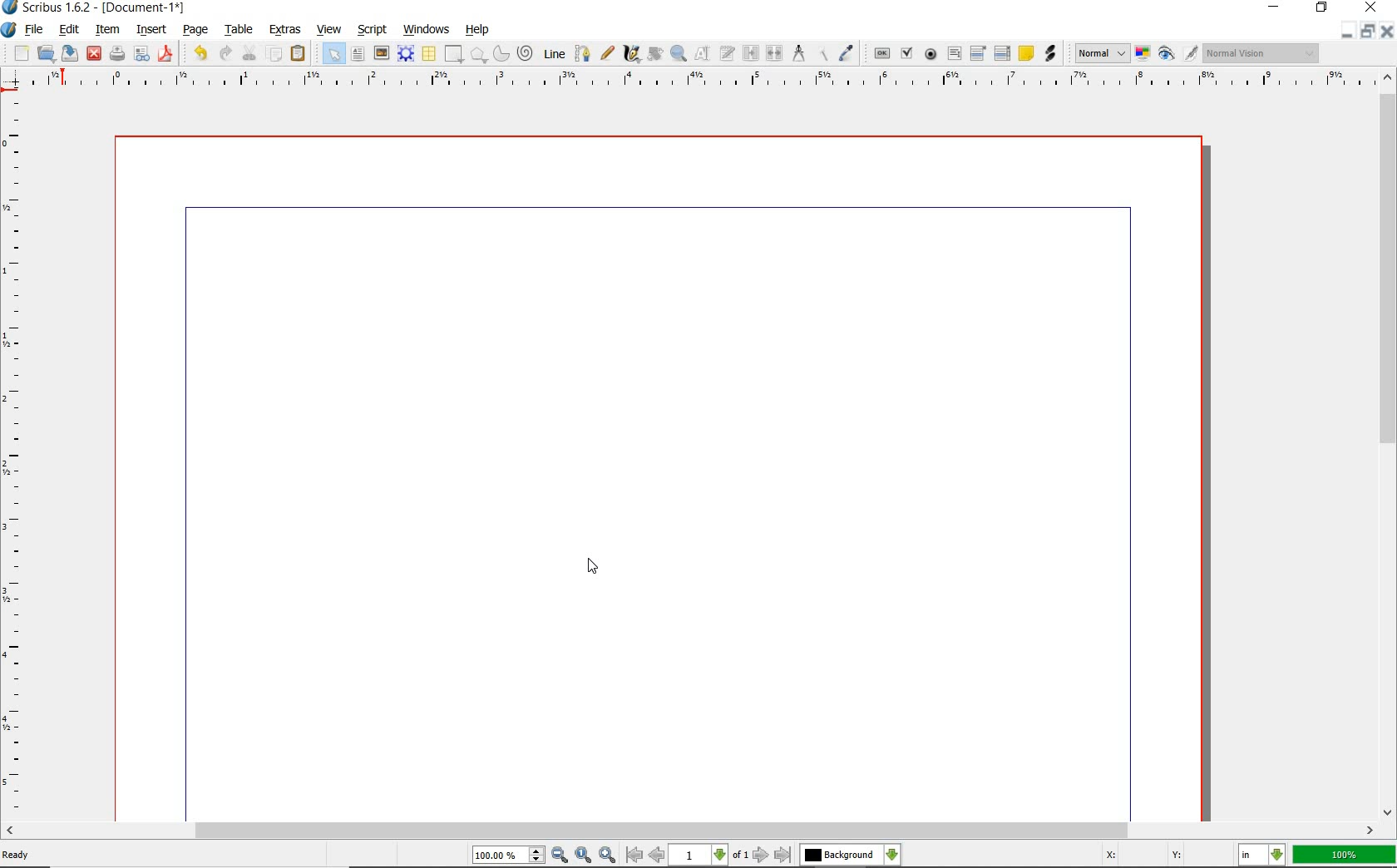 The height and width of the screenshot is (868, 1397). What do you see at coordinates (249, 52) in the screenshot?
I see `cut` at bounding box center [249, 52].